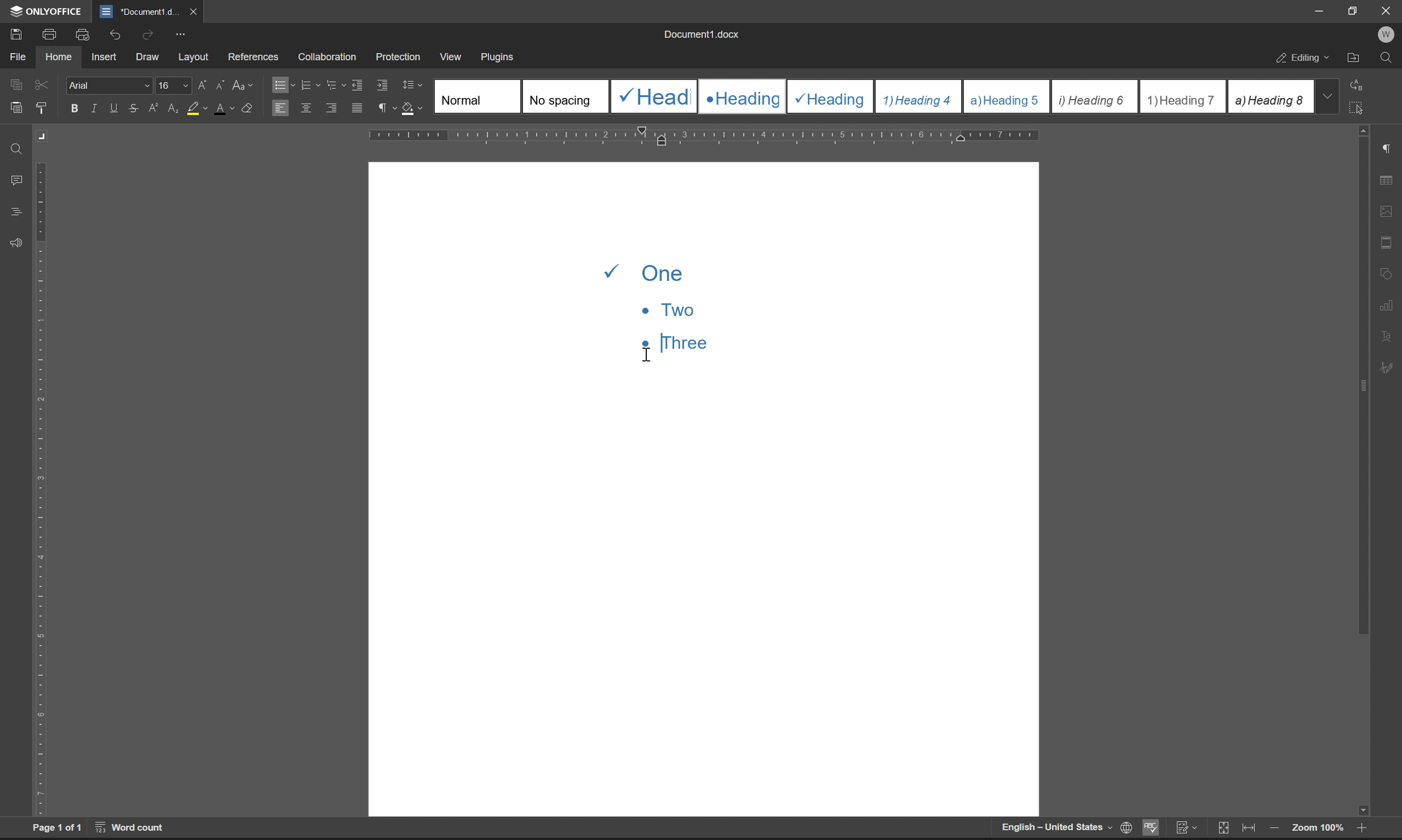  I want to click on copy style, so click(41, 109).